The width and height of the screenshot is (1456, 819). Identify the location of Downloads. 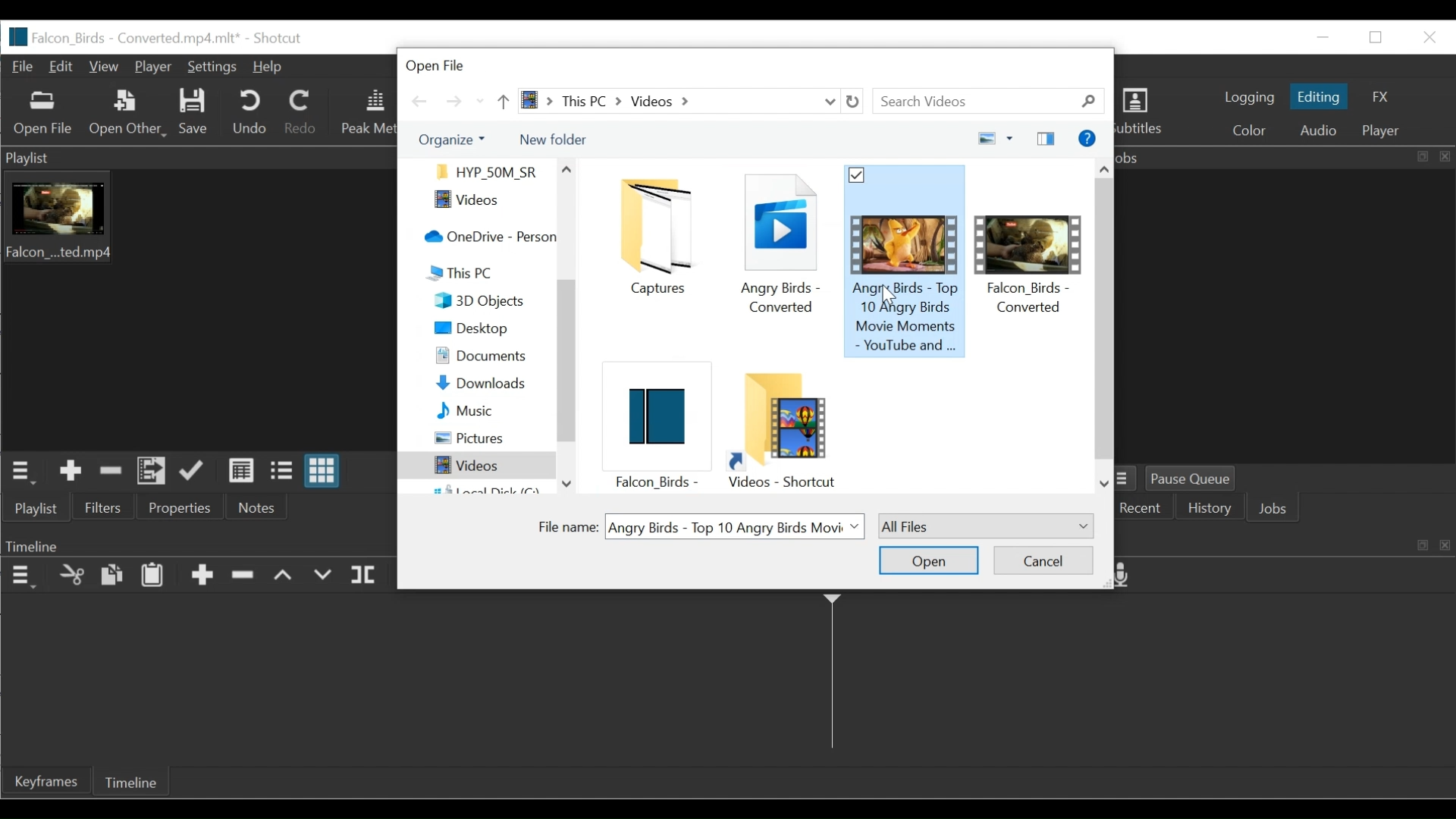
(482, 384).